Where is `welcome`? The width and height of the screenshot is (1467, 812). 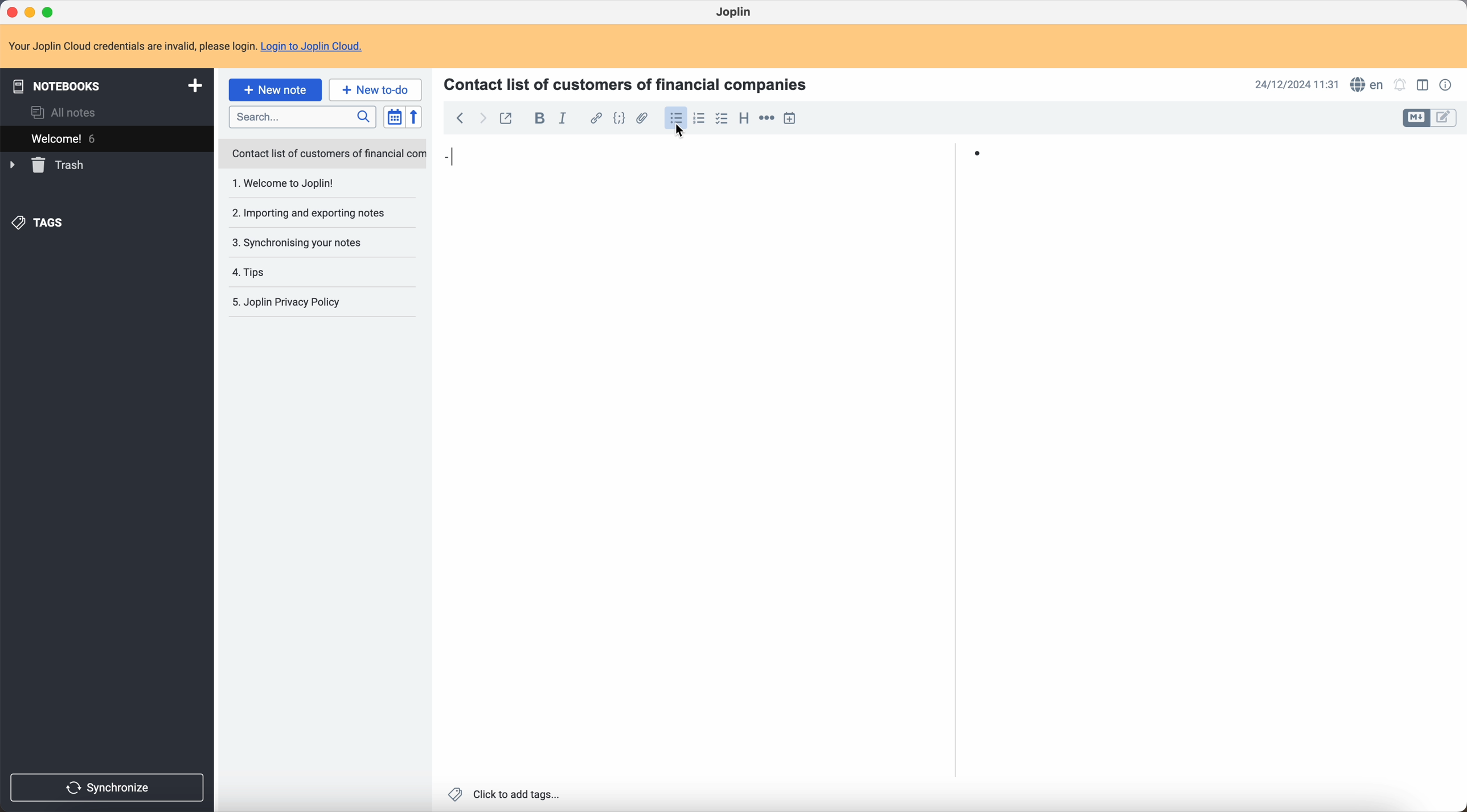
welcome is located at coordinates (96, 138).